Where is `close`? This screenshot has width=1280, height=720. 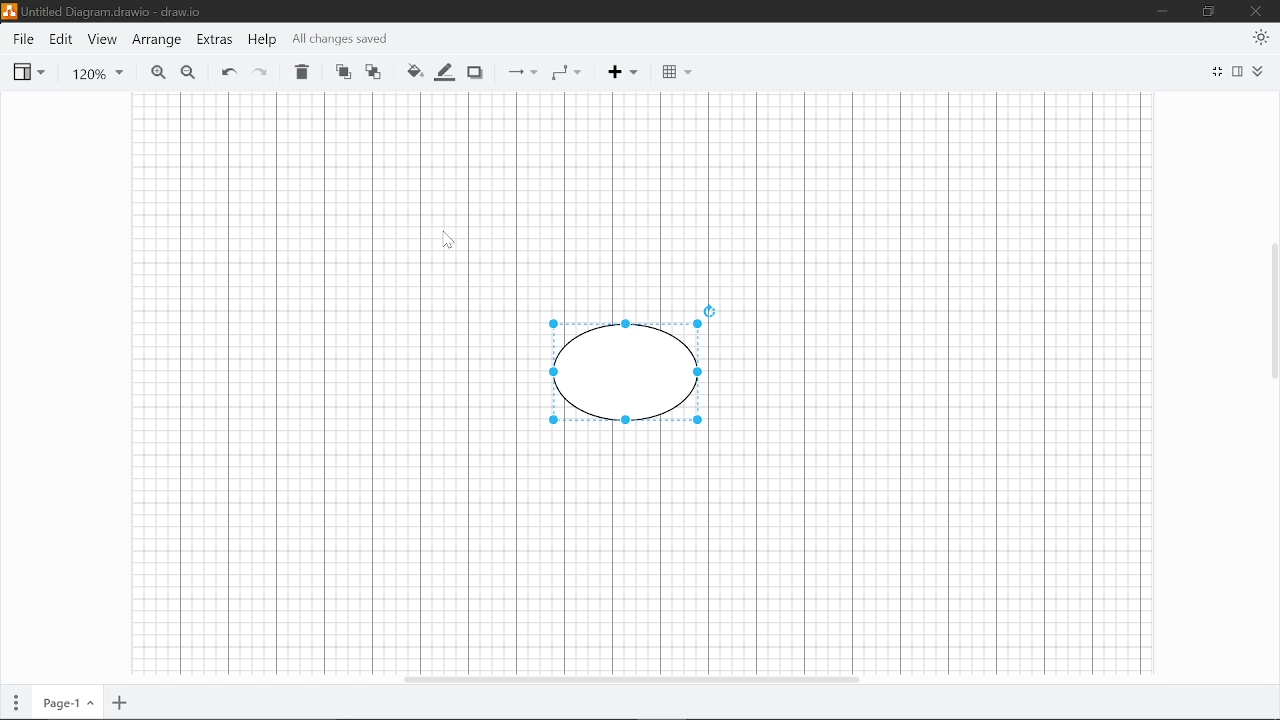
close is located at coordinates (1258, 11).